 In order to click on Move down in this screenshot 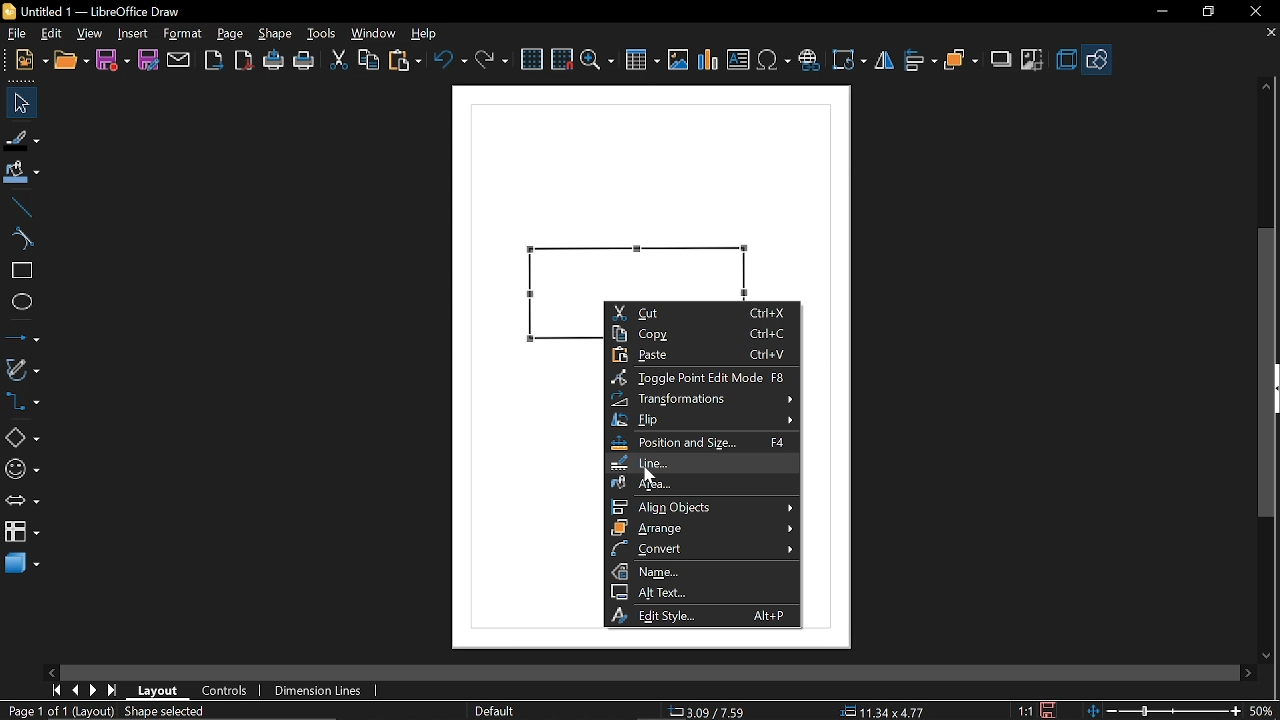, I will do `click(1267, 652)`.